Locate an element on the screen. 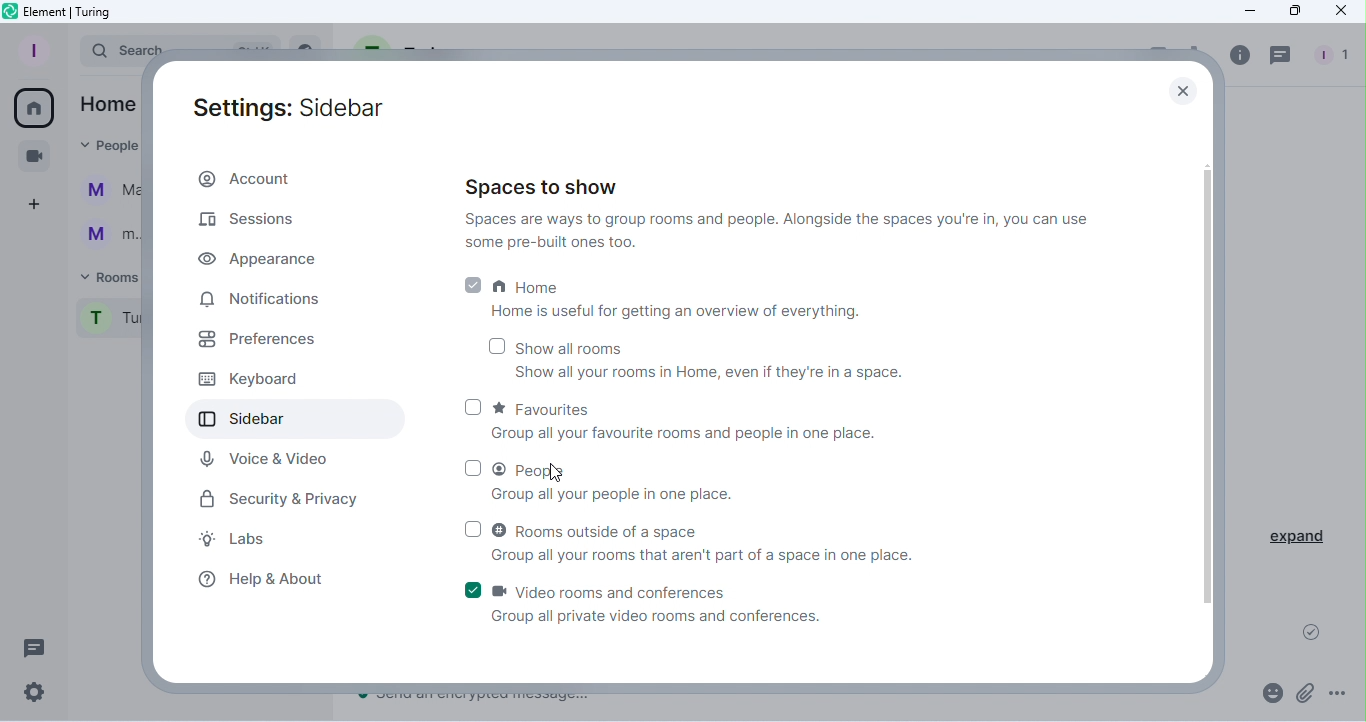 The height and width of the screenshot is (722, 1366). Close is located at coordinates (1339, 14).